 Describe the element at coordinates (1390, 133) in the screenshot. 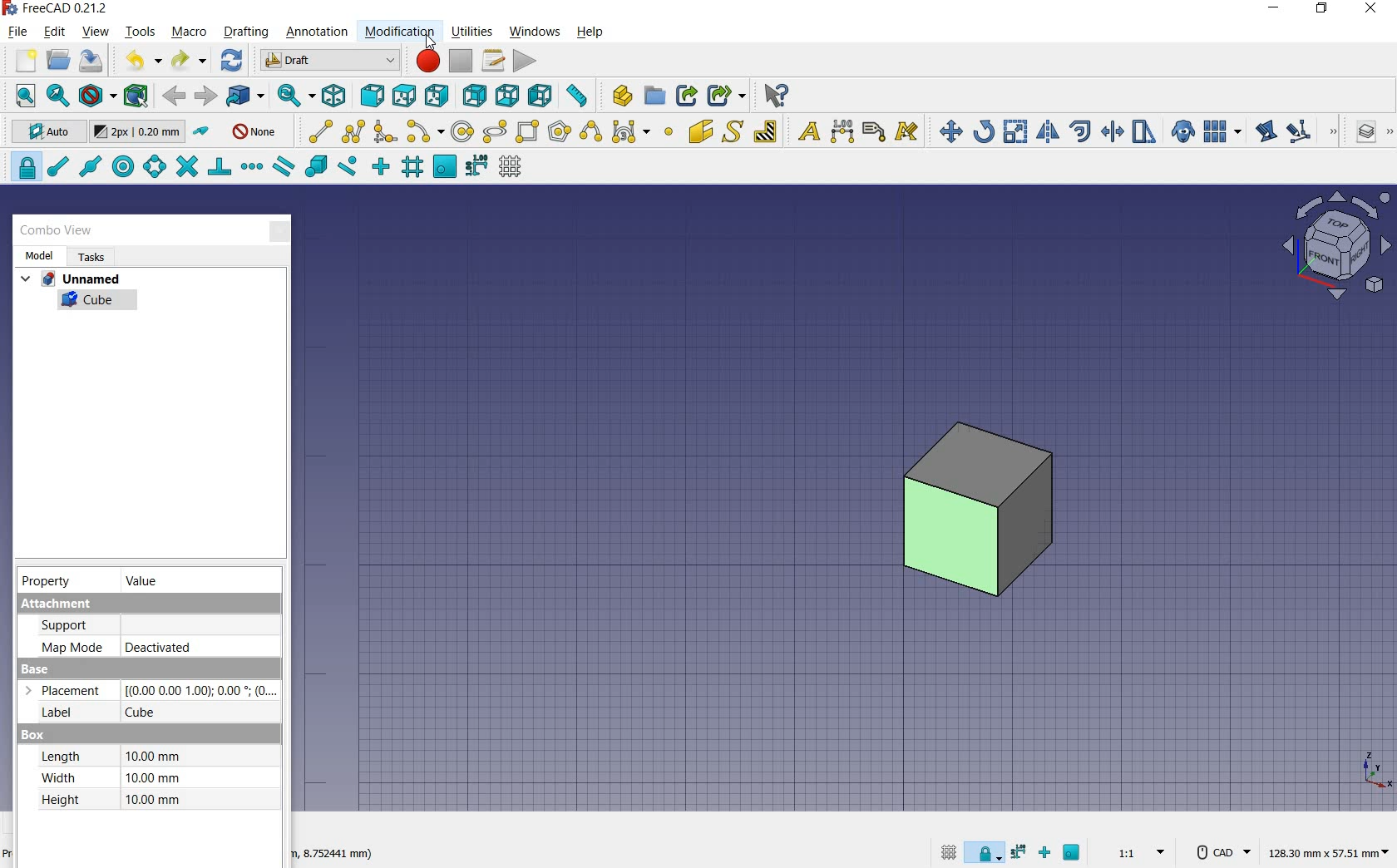

I see `draft utility tools` at that location.